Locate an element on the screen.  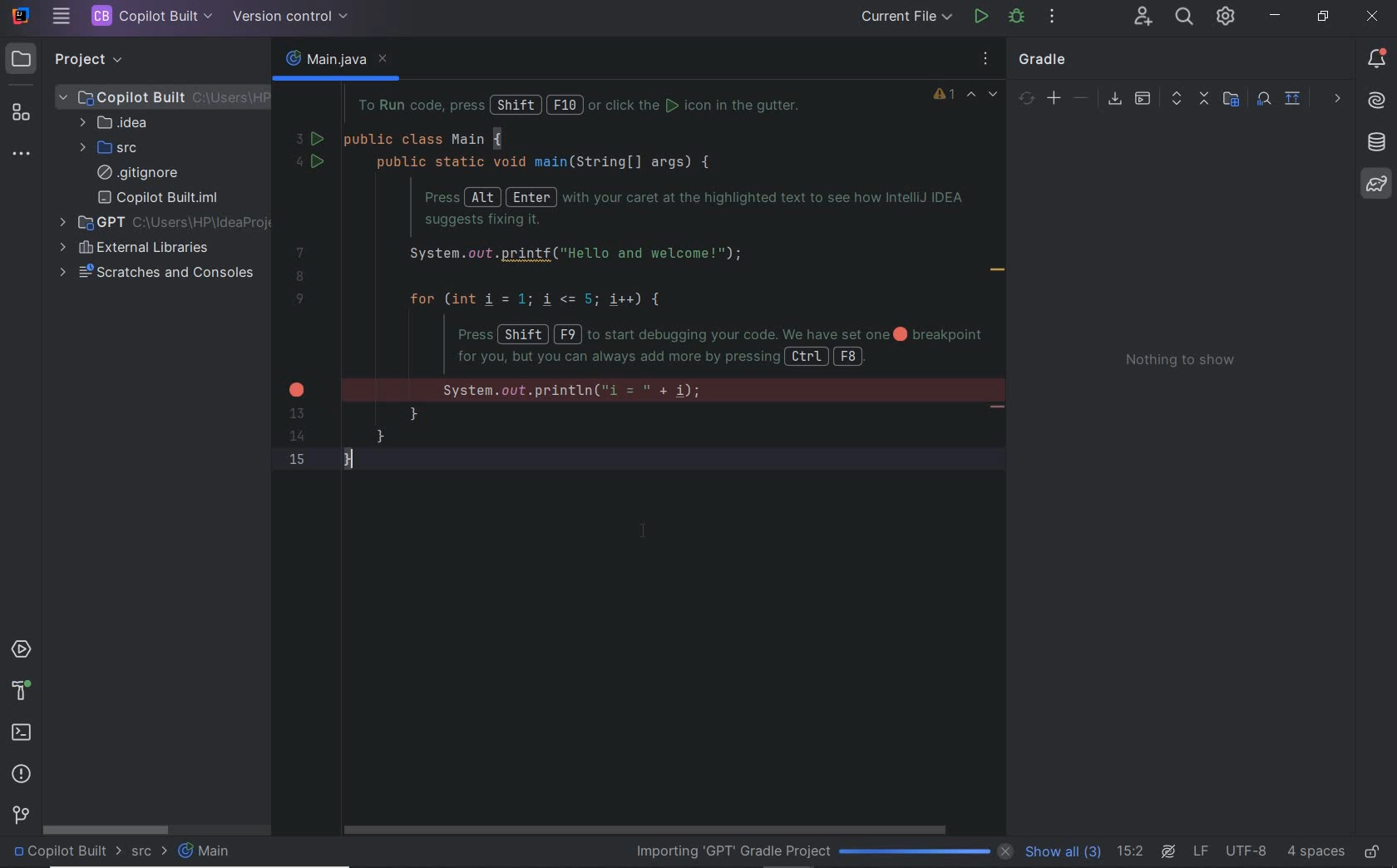
file encoding is located at coordinates (1246, 850).